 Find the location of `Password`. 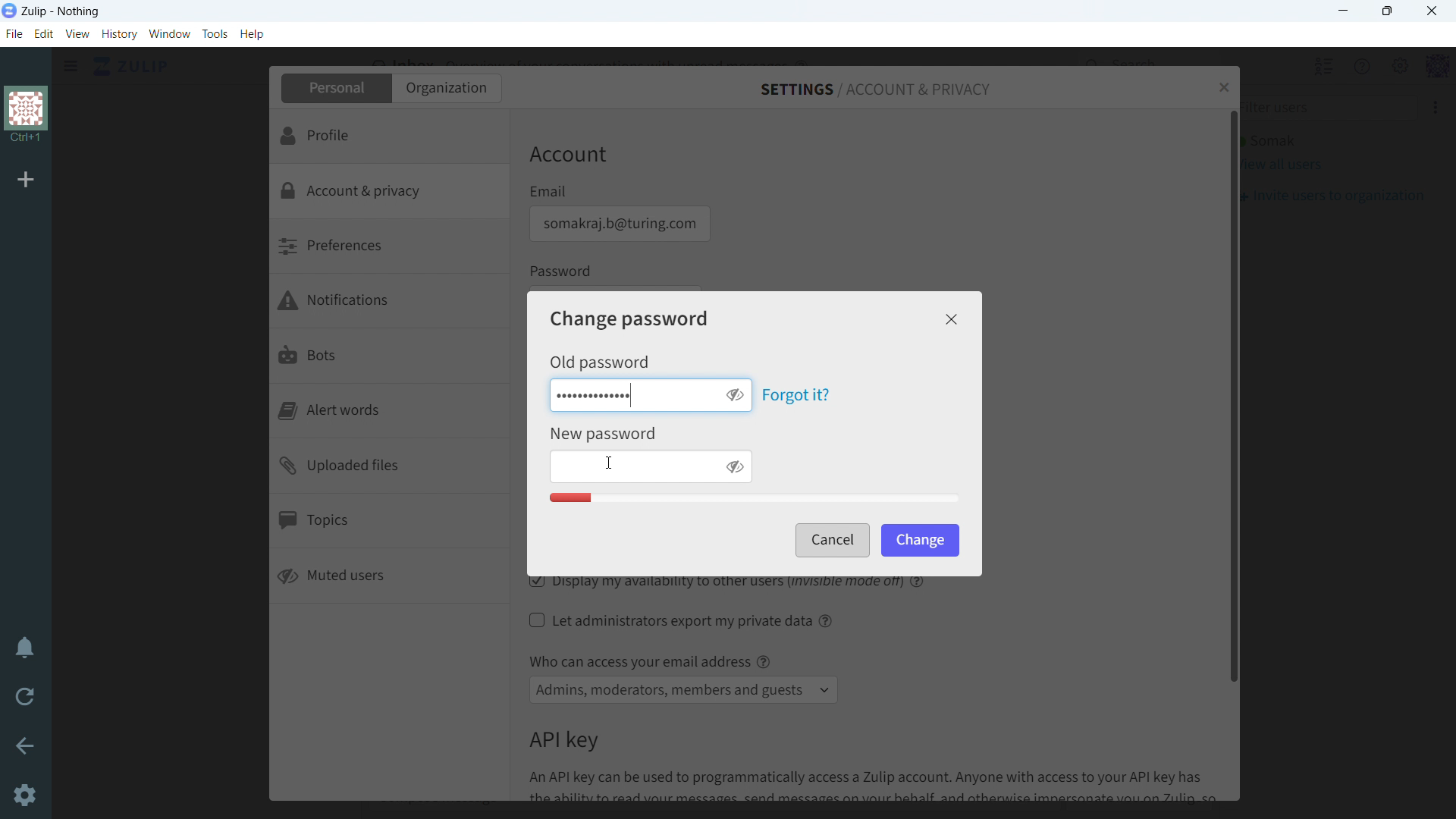

Password is located at coordinates (563, 271).